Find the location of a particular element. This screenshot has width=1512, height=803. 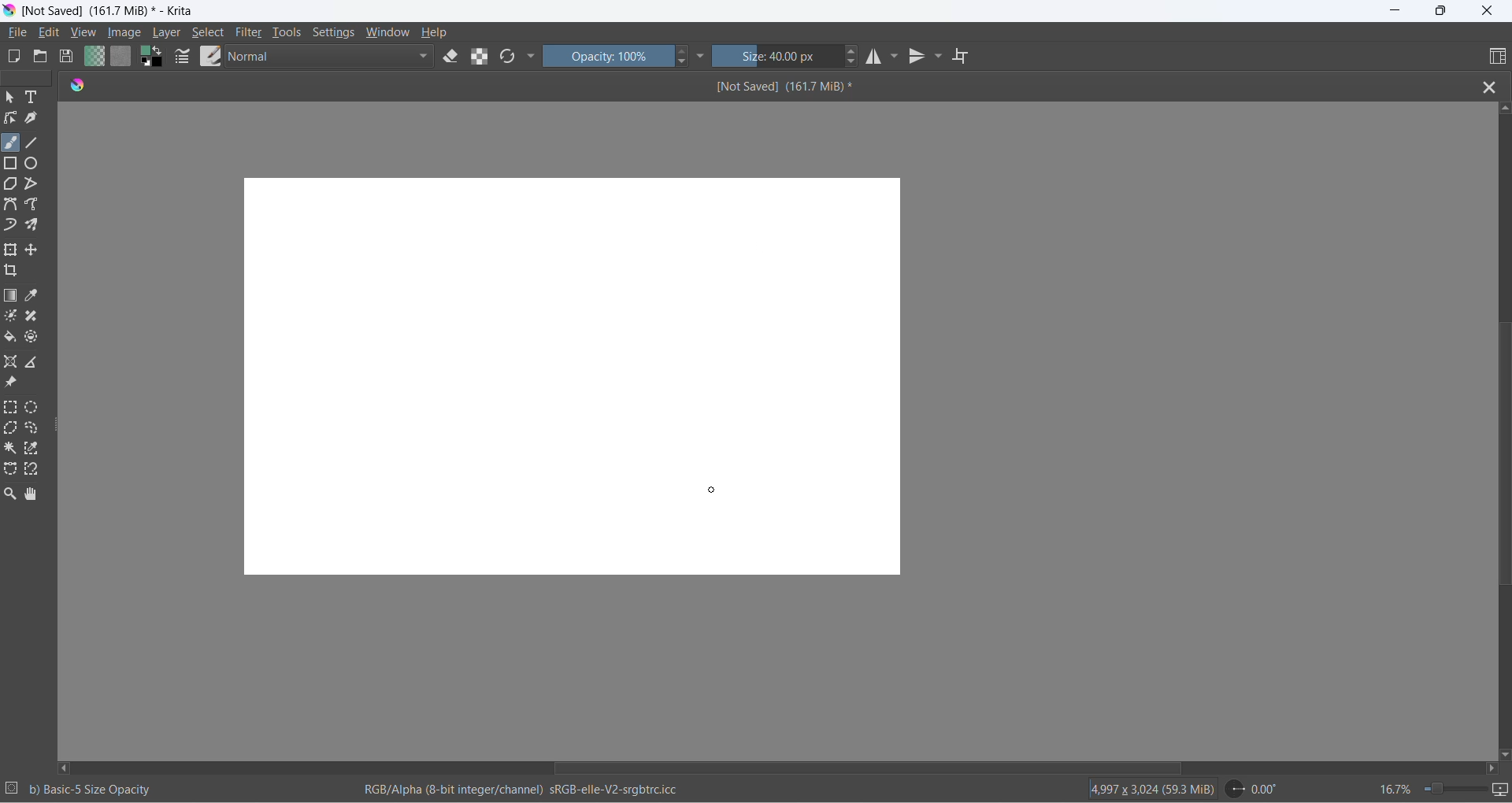

file name and size is located at coordinates (769, 87).